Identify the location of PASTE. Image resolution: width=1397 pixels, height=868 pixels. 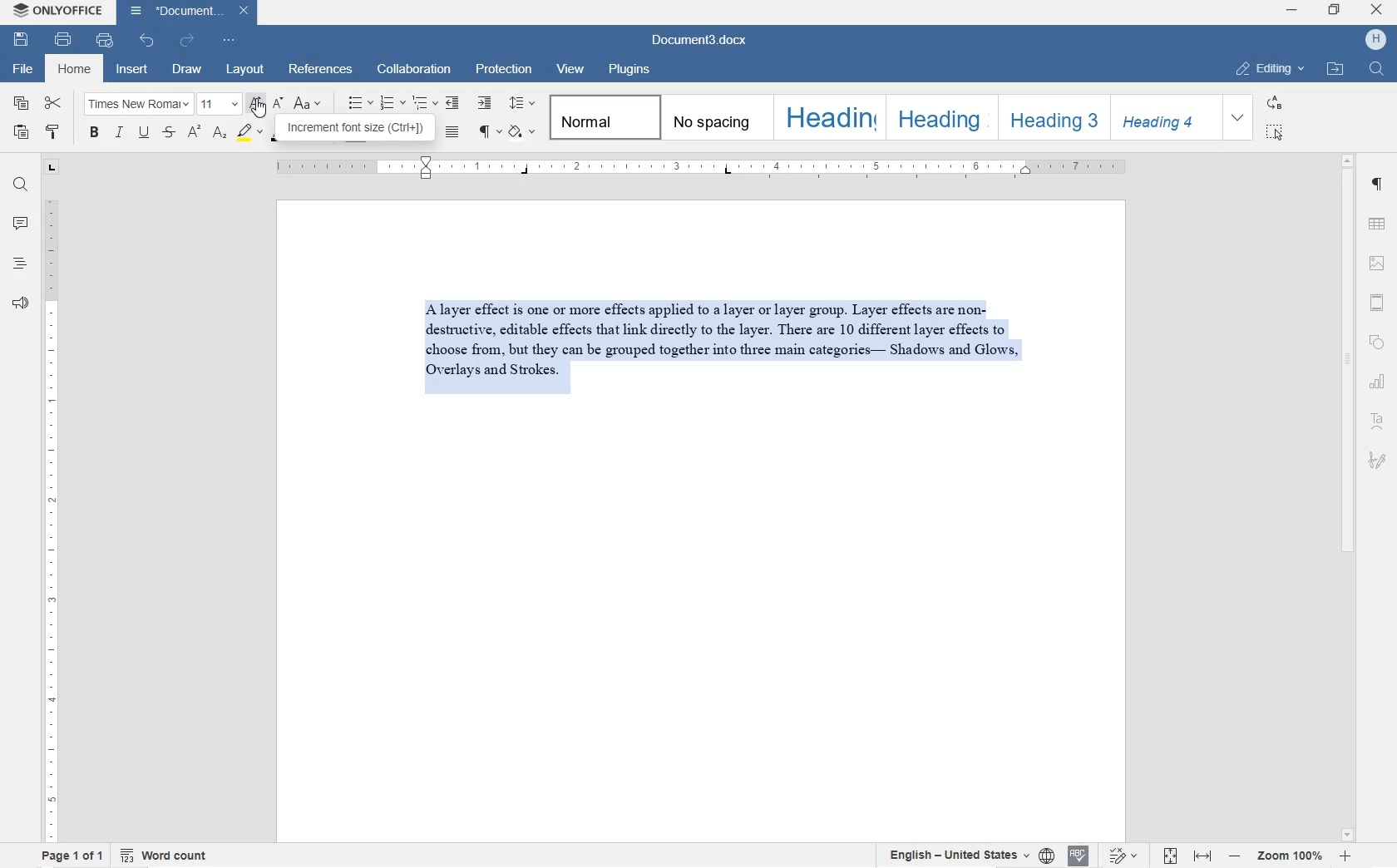
(24, 136).